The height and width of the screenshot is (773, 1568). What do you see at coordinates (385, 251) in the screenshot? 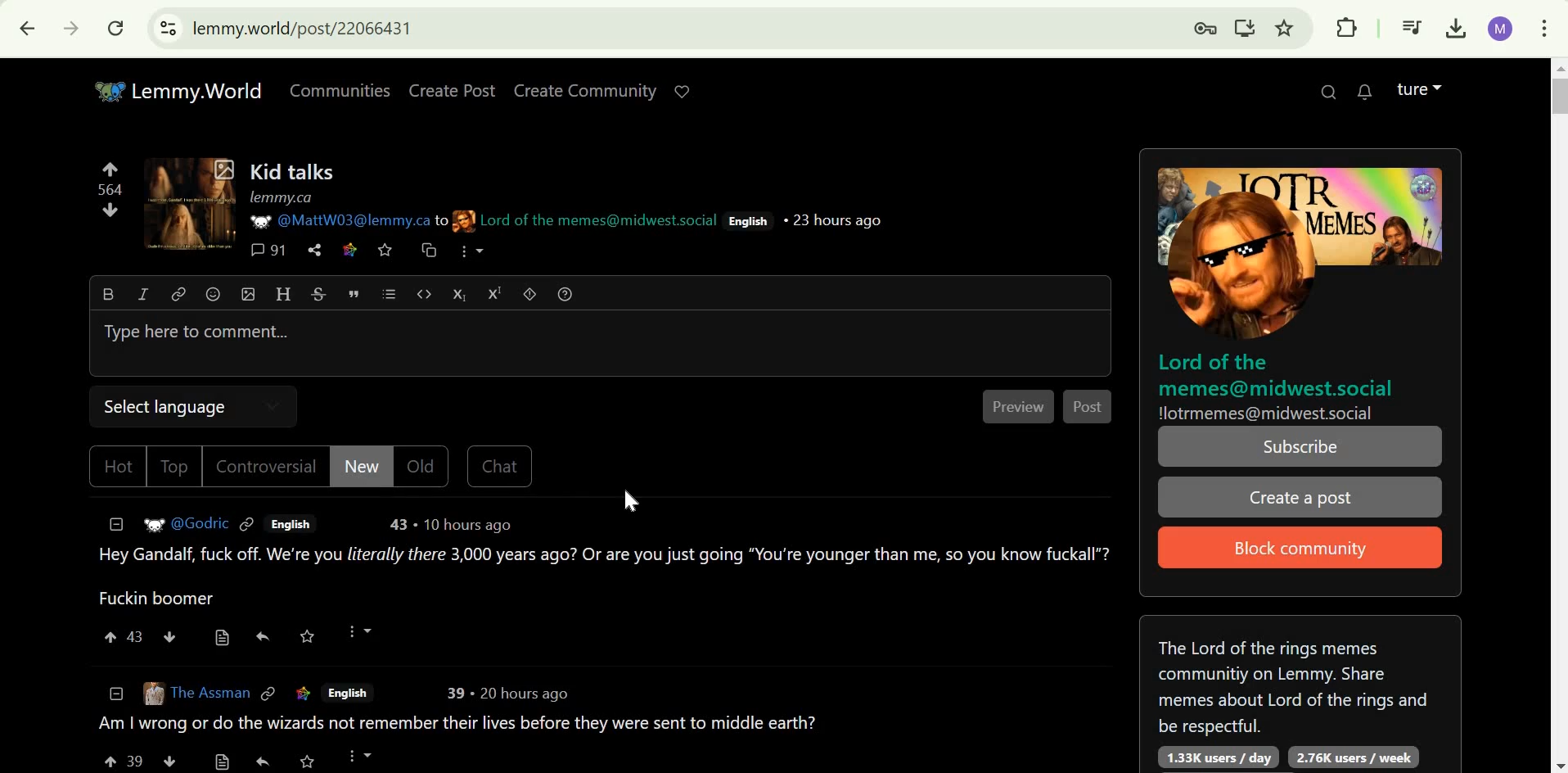
I see `save` at bounding box center [385, 251].